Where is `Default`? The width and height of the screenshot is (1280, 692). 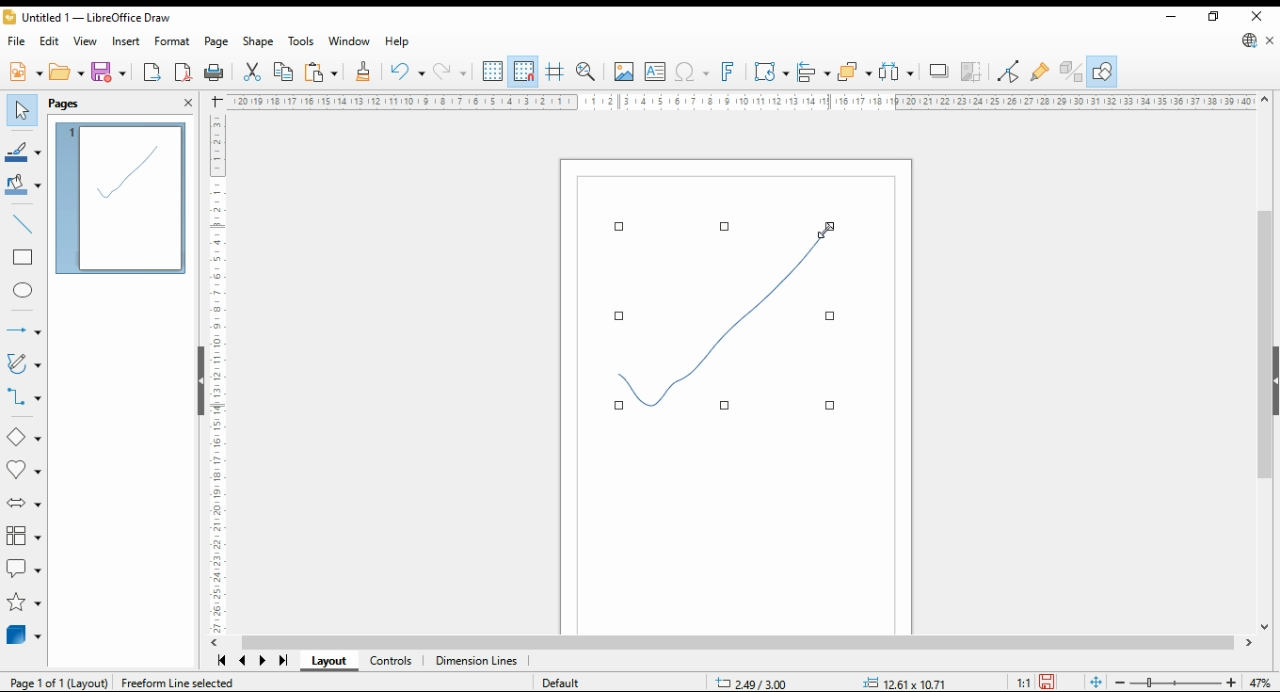
Default is located at coordinates (571, 680).